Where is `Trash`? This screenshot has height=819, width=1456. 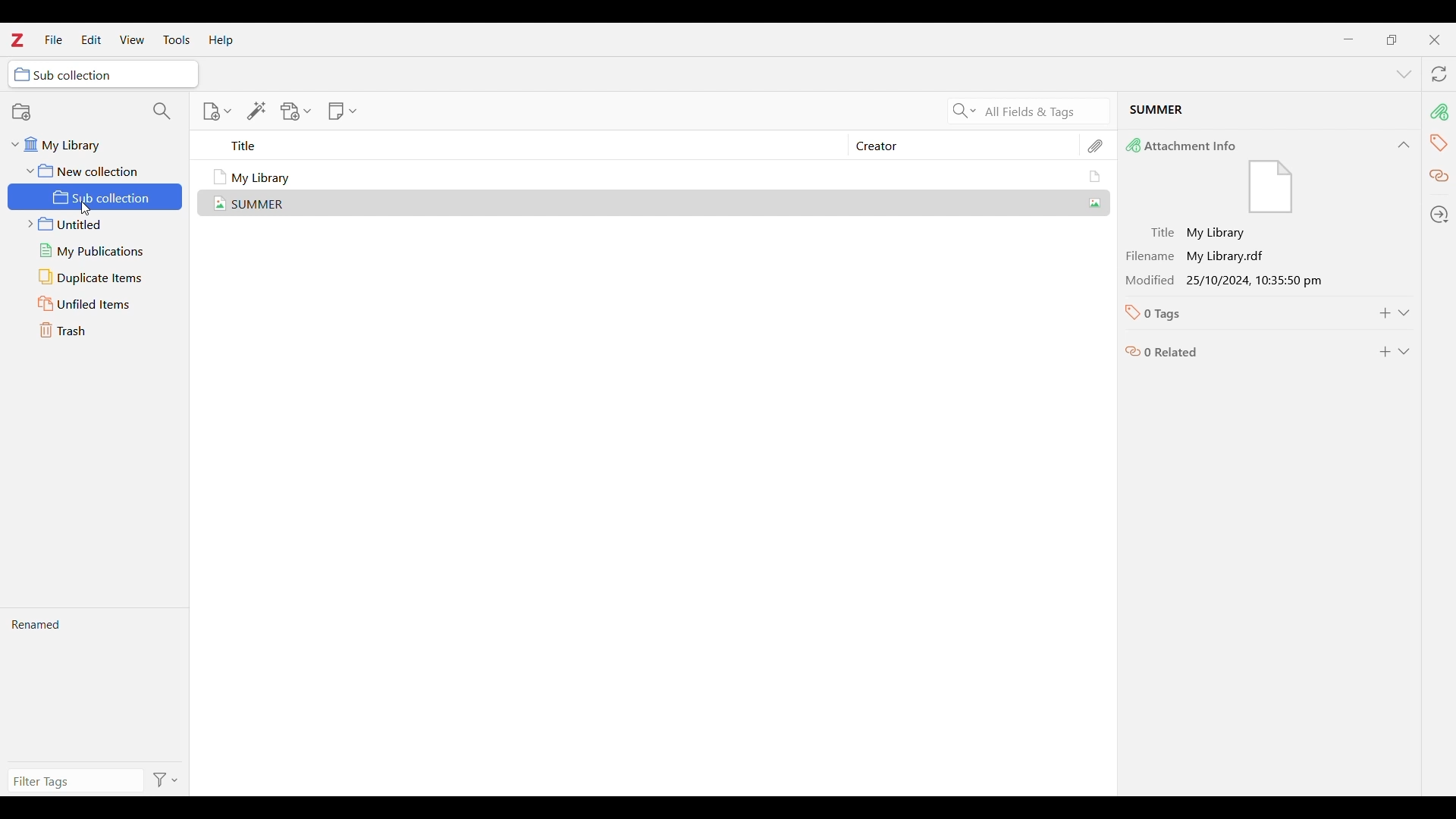 Trash is located at coordinates (97, 331).